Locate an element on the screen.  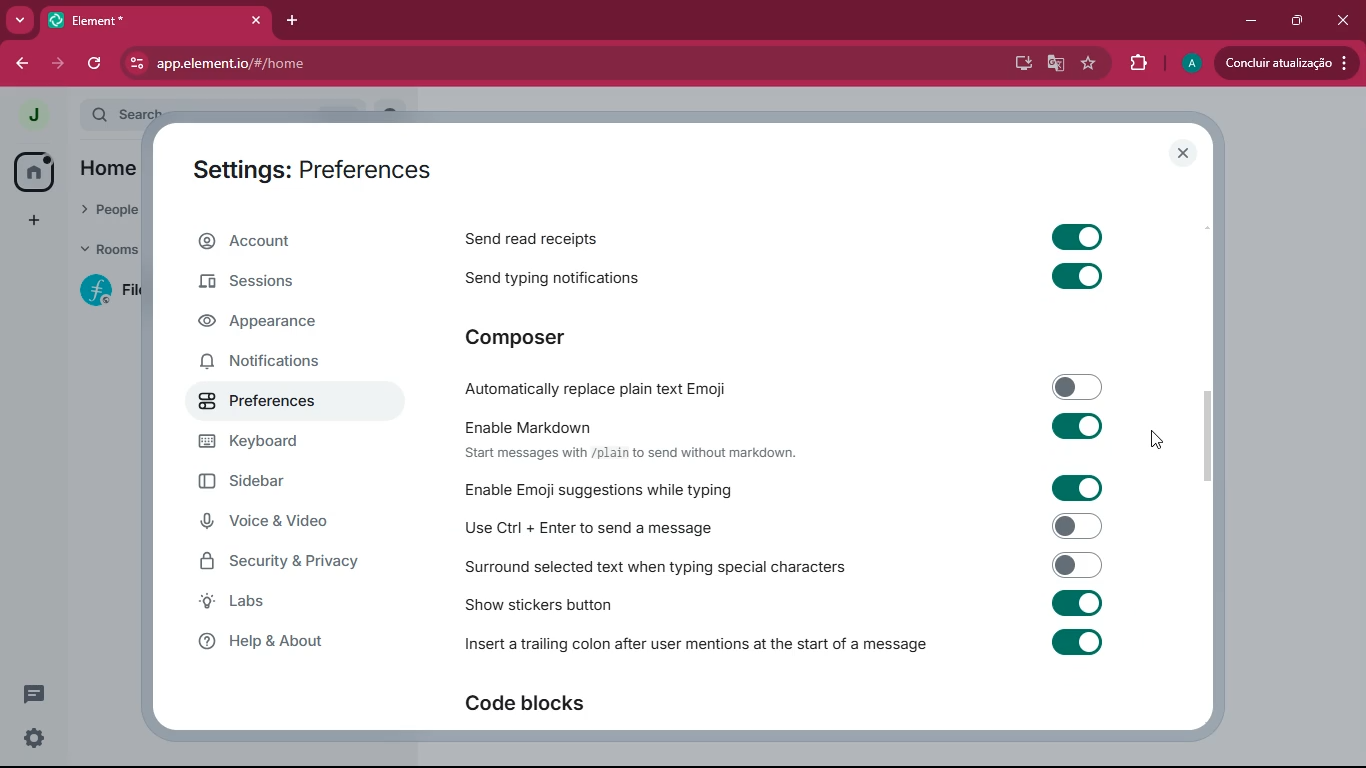
favourite is located at coordinates (1091, 63).